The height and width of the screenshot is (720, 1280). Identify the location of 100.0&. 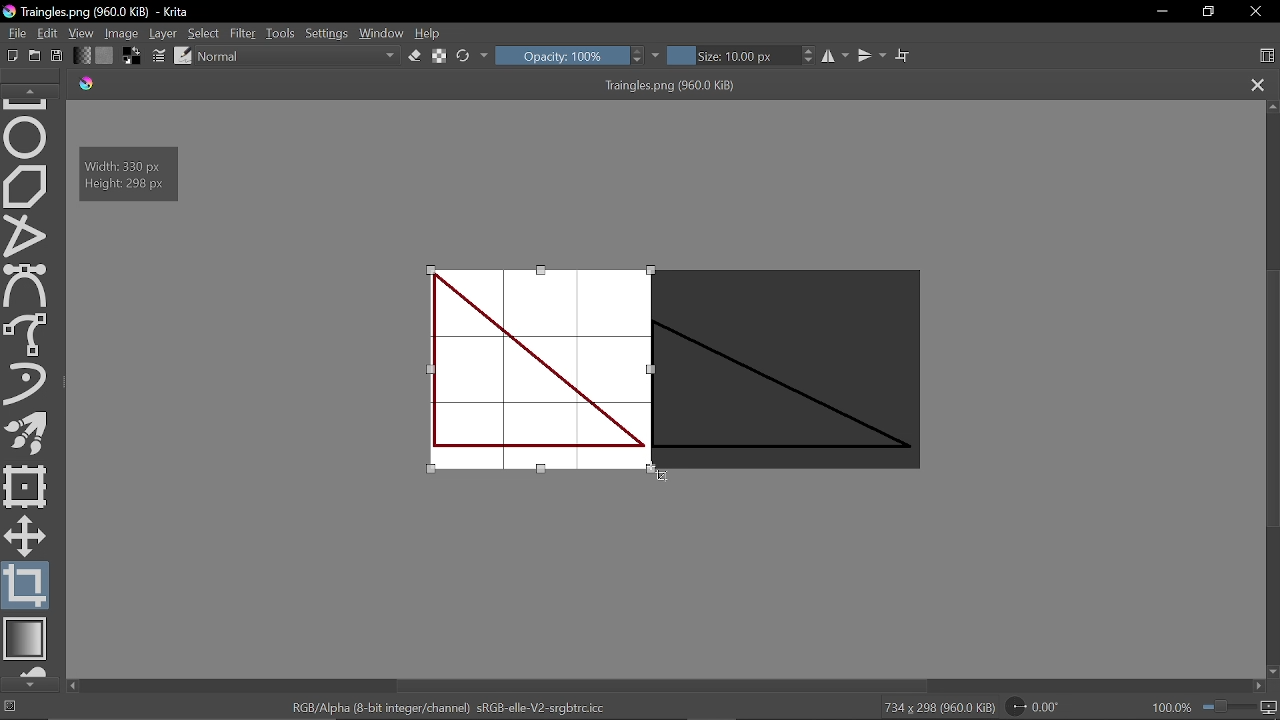
(1216, 705).